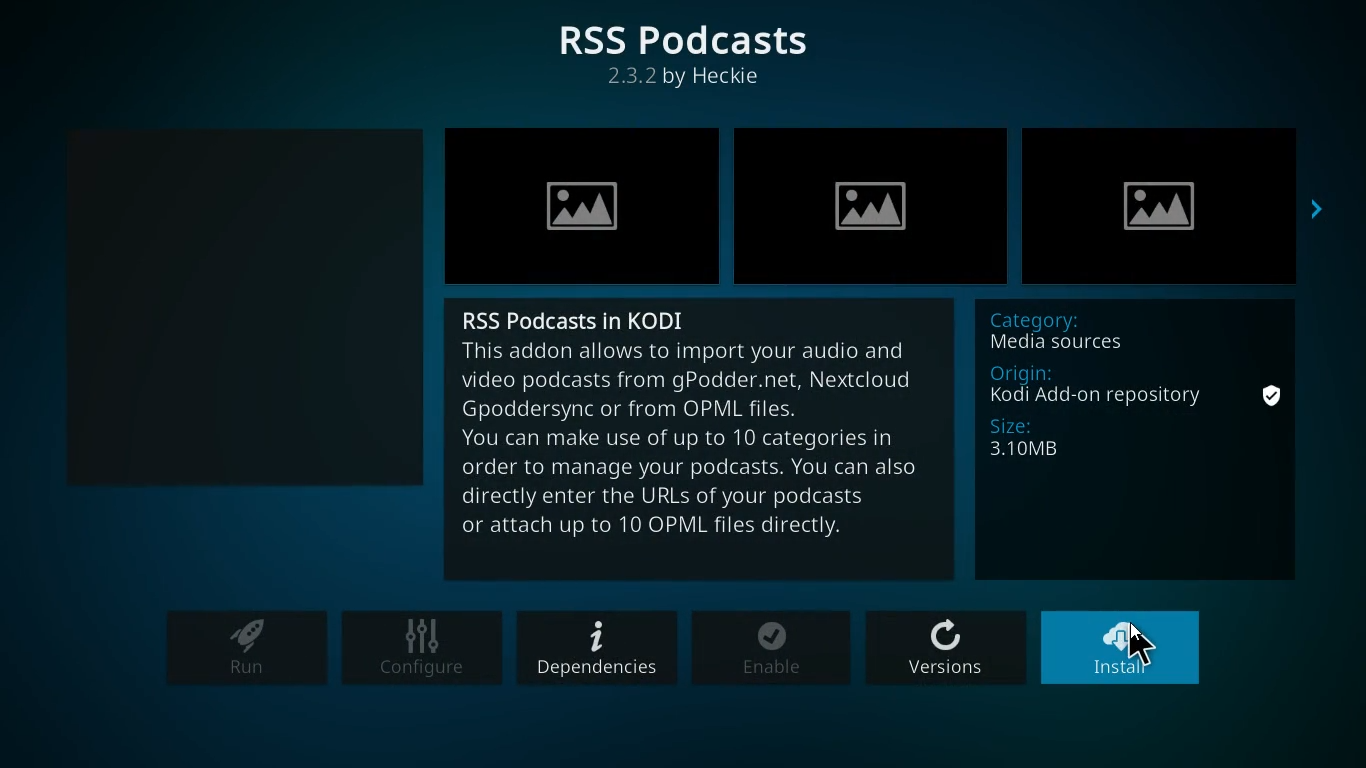 This screenshot has width=1366, height=768. Describe the element at coordinates (1172, 201) in the screenshot. I see `image` at that location.